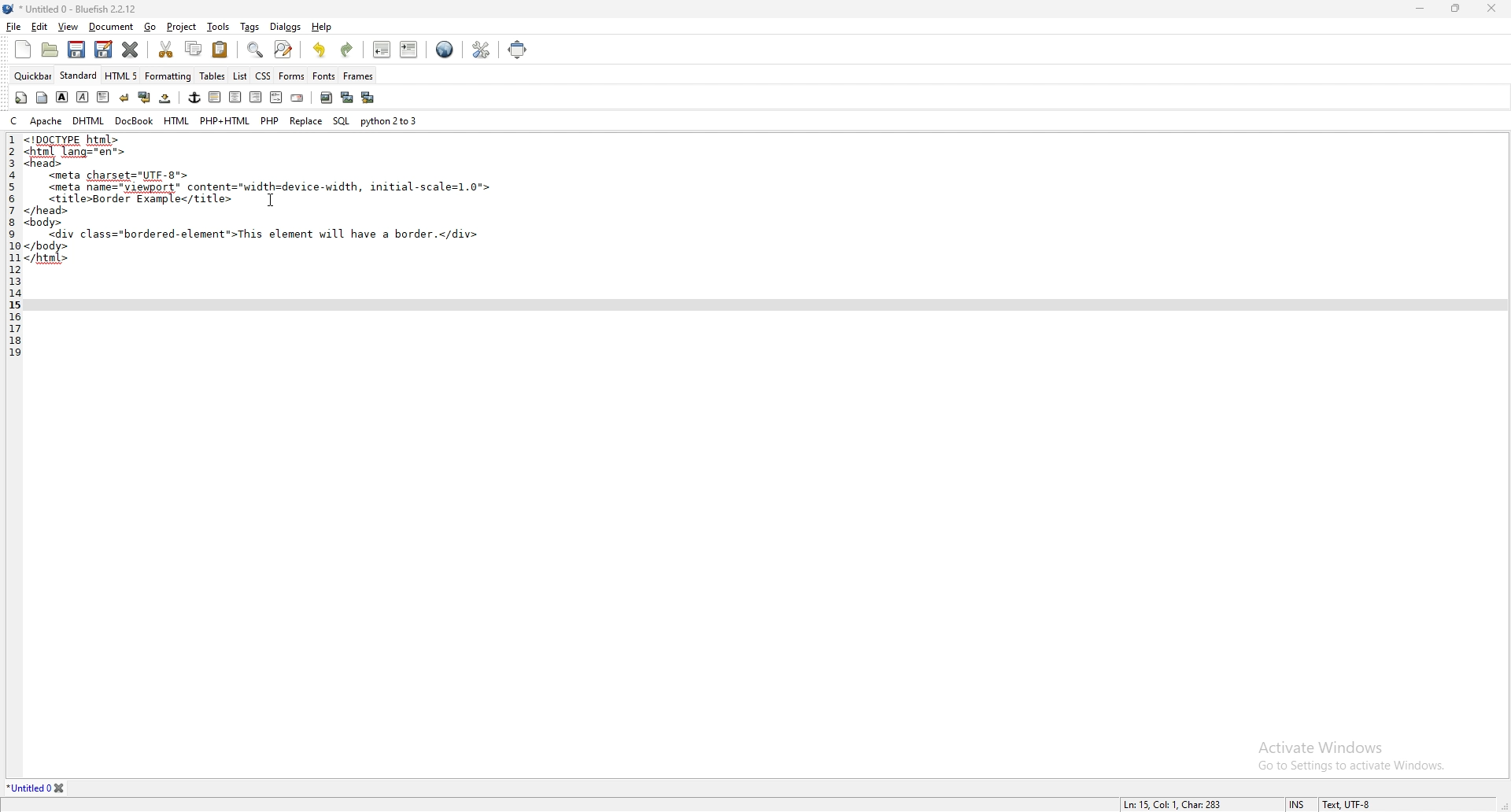  What do you see at coordinates (168, 76) in the screenshot?
I see `formatting` at bounding box center [168, 76].